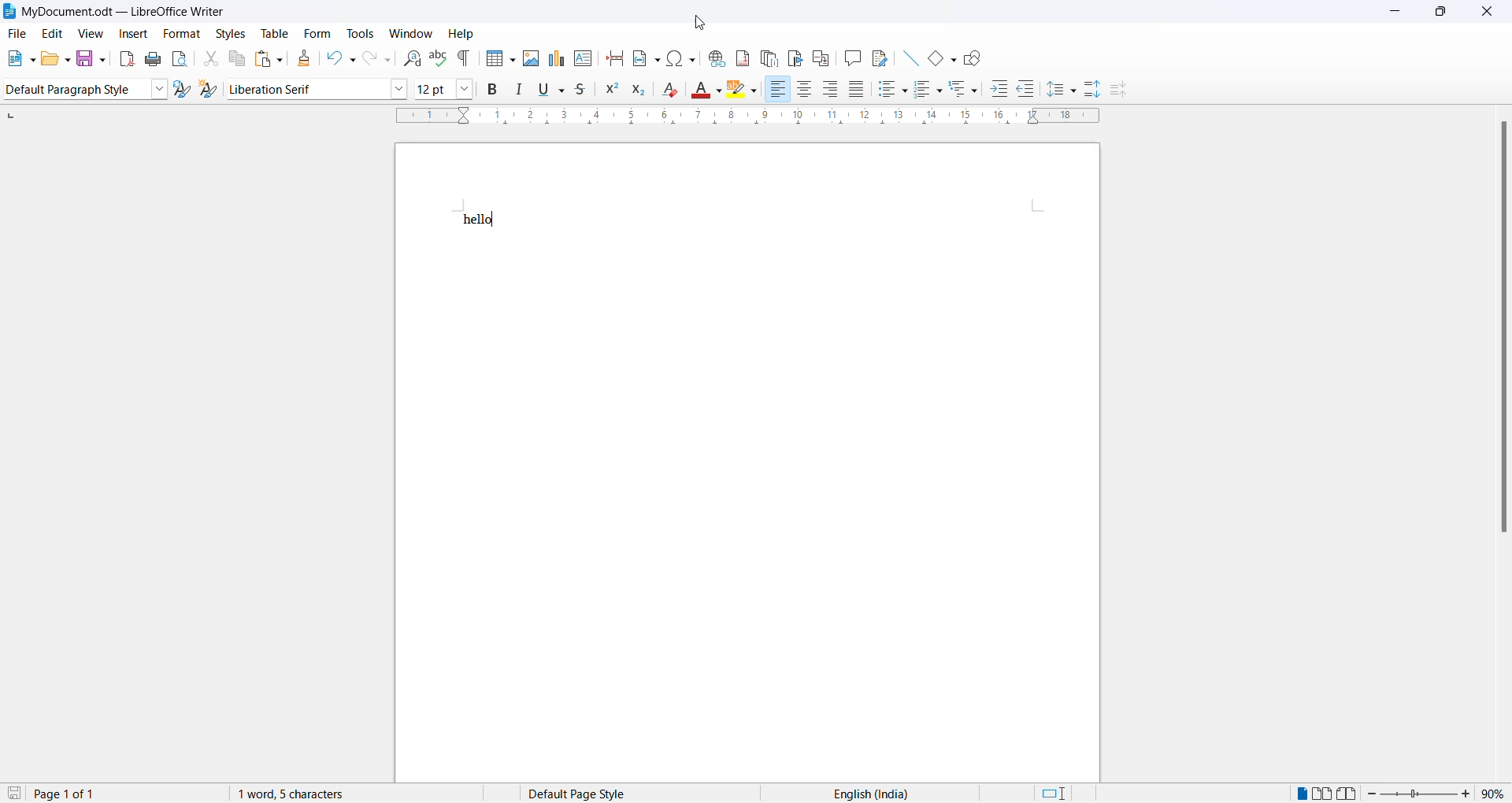 This screenshot has height=803, width=1512. I want to click on Print, so click(152, 61).